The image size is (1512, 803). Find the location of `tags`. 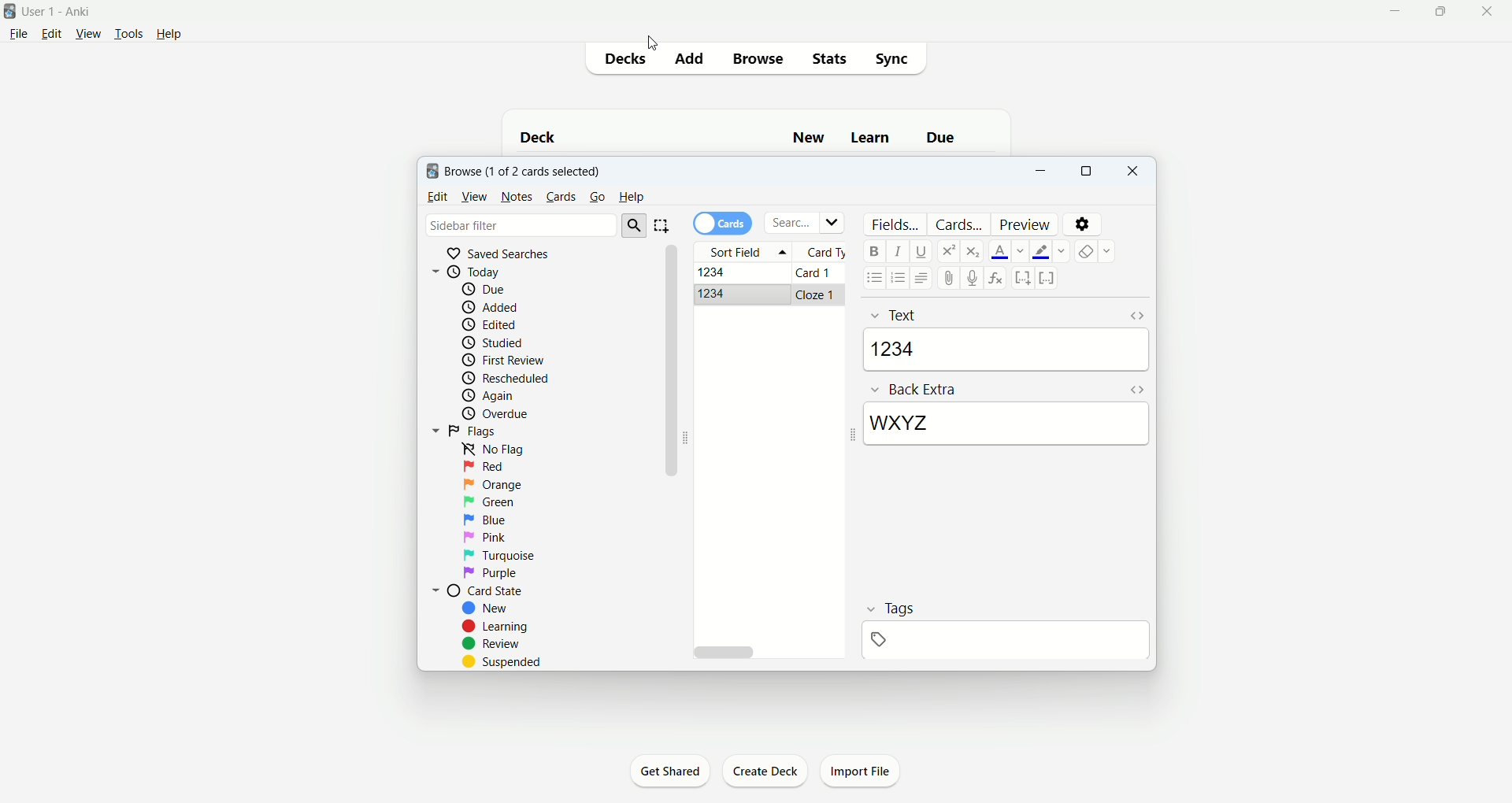

tags is located at coordinates (887, 608).